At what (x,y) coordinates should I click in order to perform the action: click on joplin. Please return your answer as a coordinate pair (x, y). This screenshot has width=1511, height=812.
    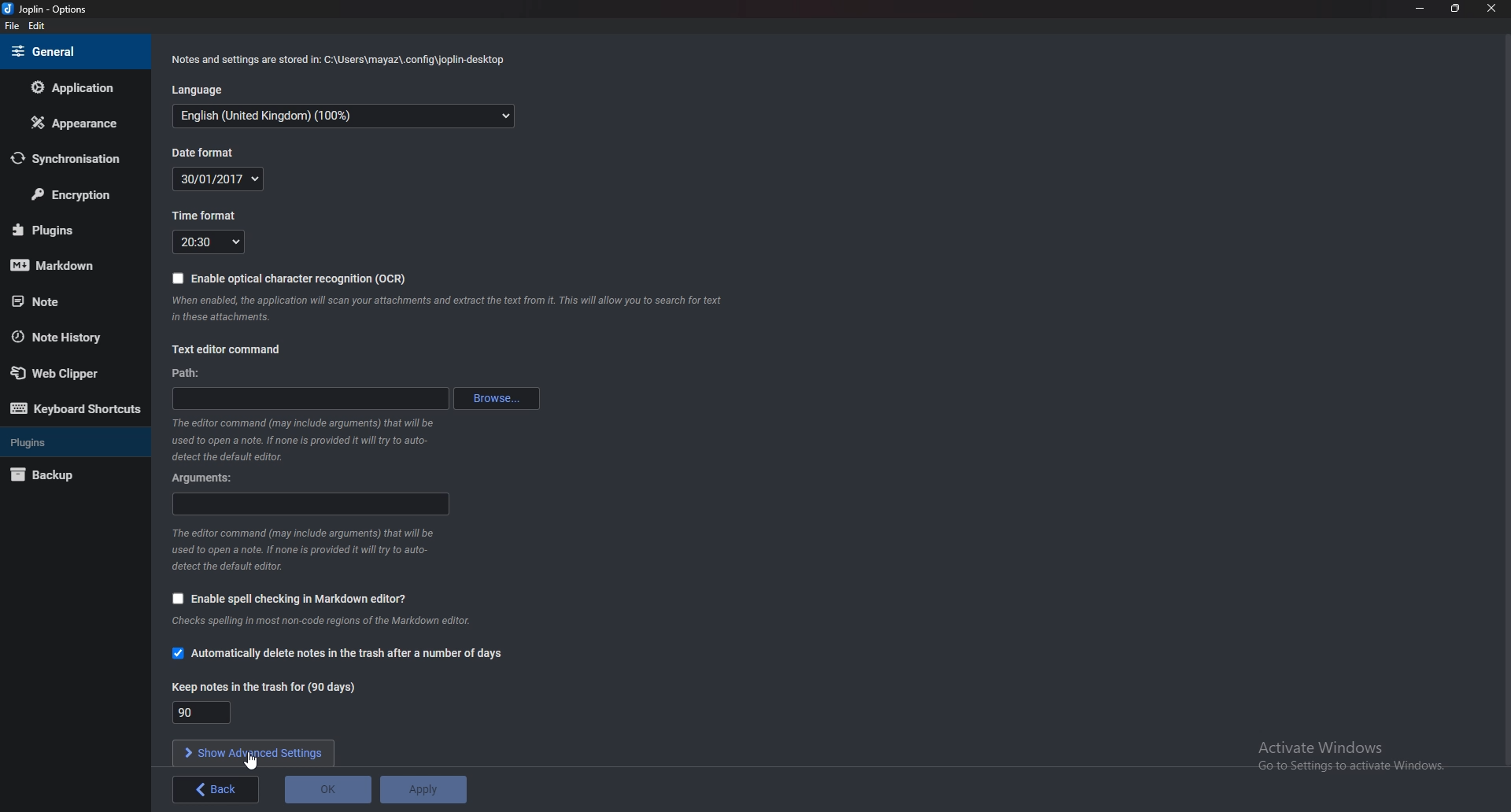
    Looking at the image, I should click on (48, 10).